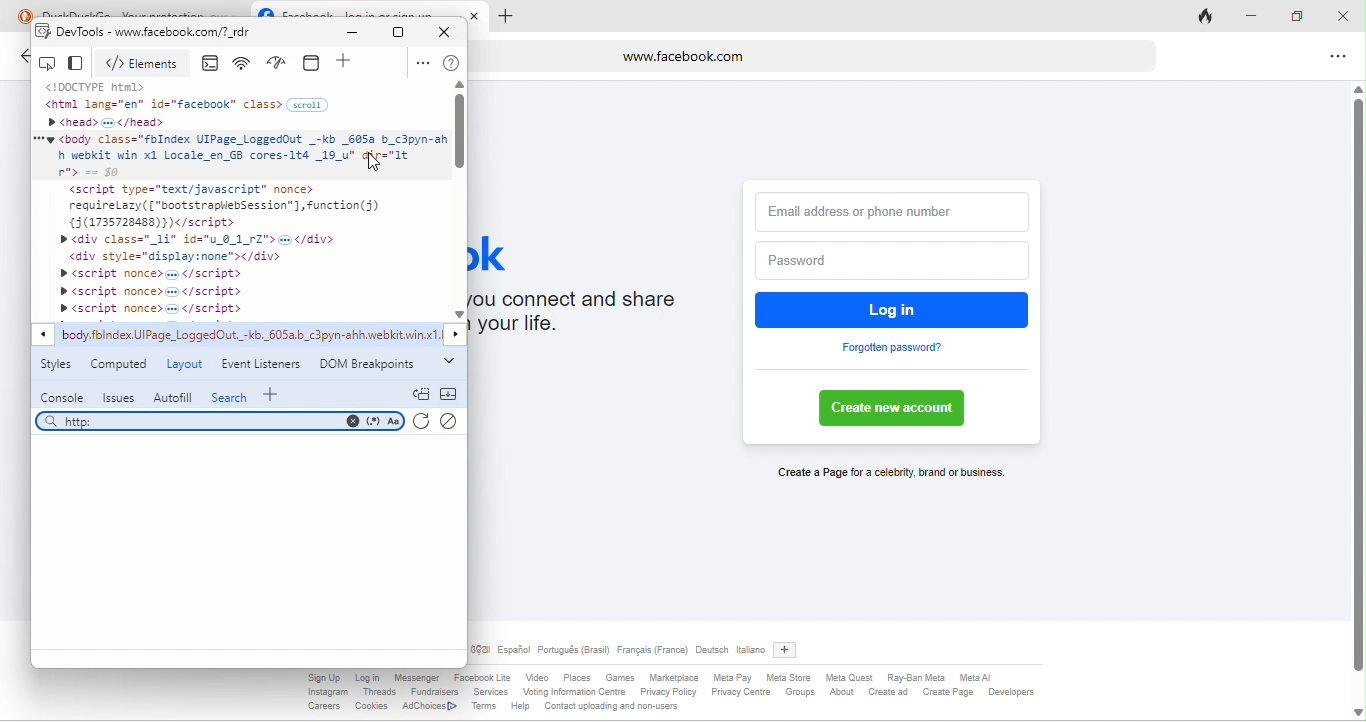  Describe the element at coordinates (420, 393) in the screenshot. I see `doc quick view` at that location.